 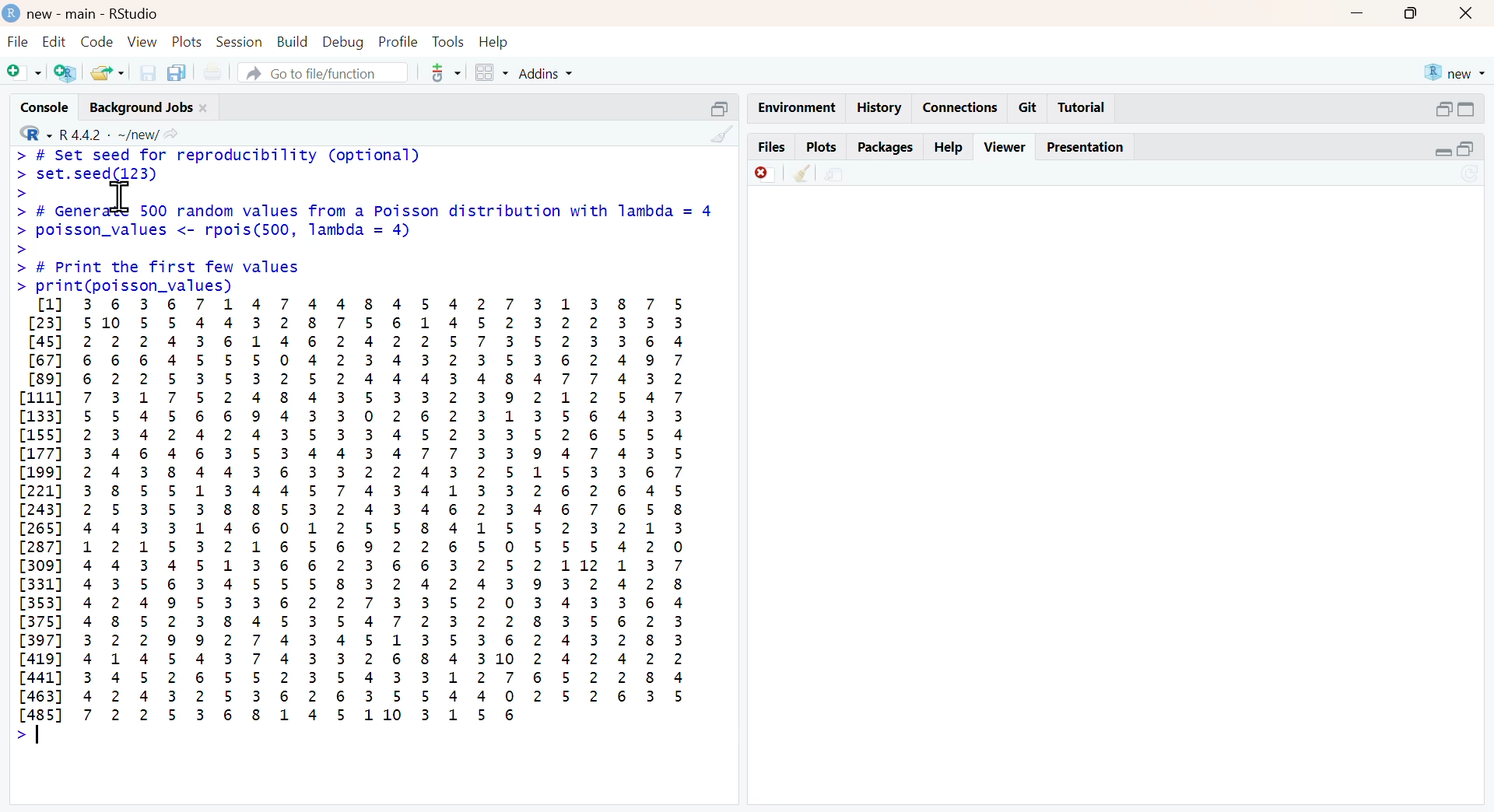 I want to click on open in separate window, so click(x=721, y=110).